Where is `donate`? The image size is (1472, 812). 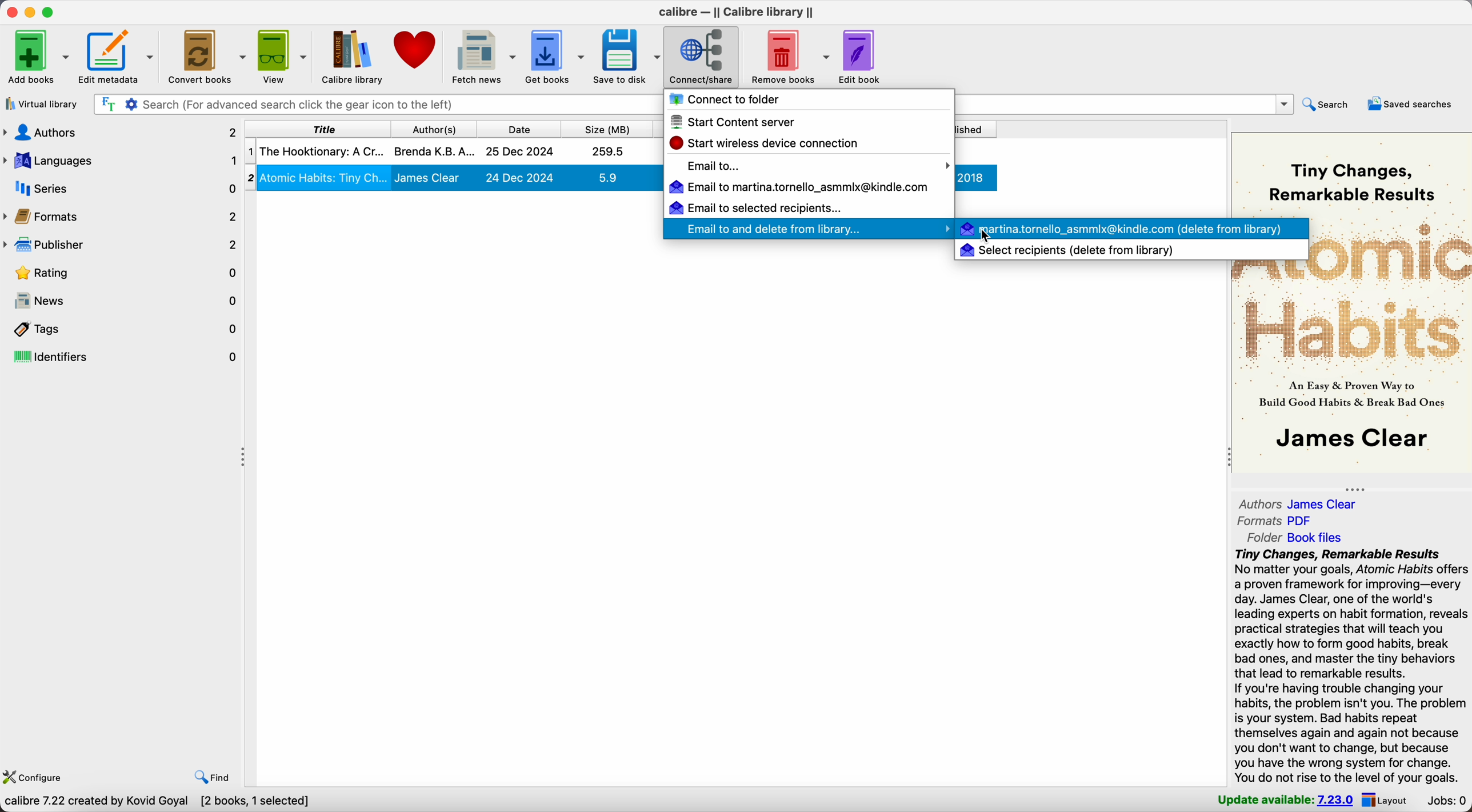
donate is located at coordinates (415, 49).